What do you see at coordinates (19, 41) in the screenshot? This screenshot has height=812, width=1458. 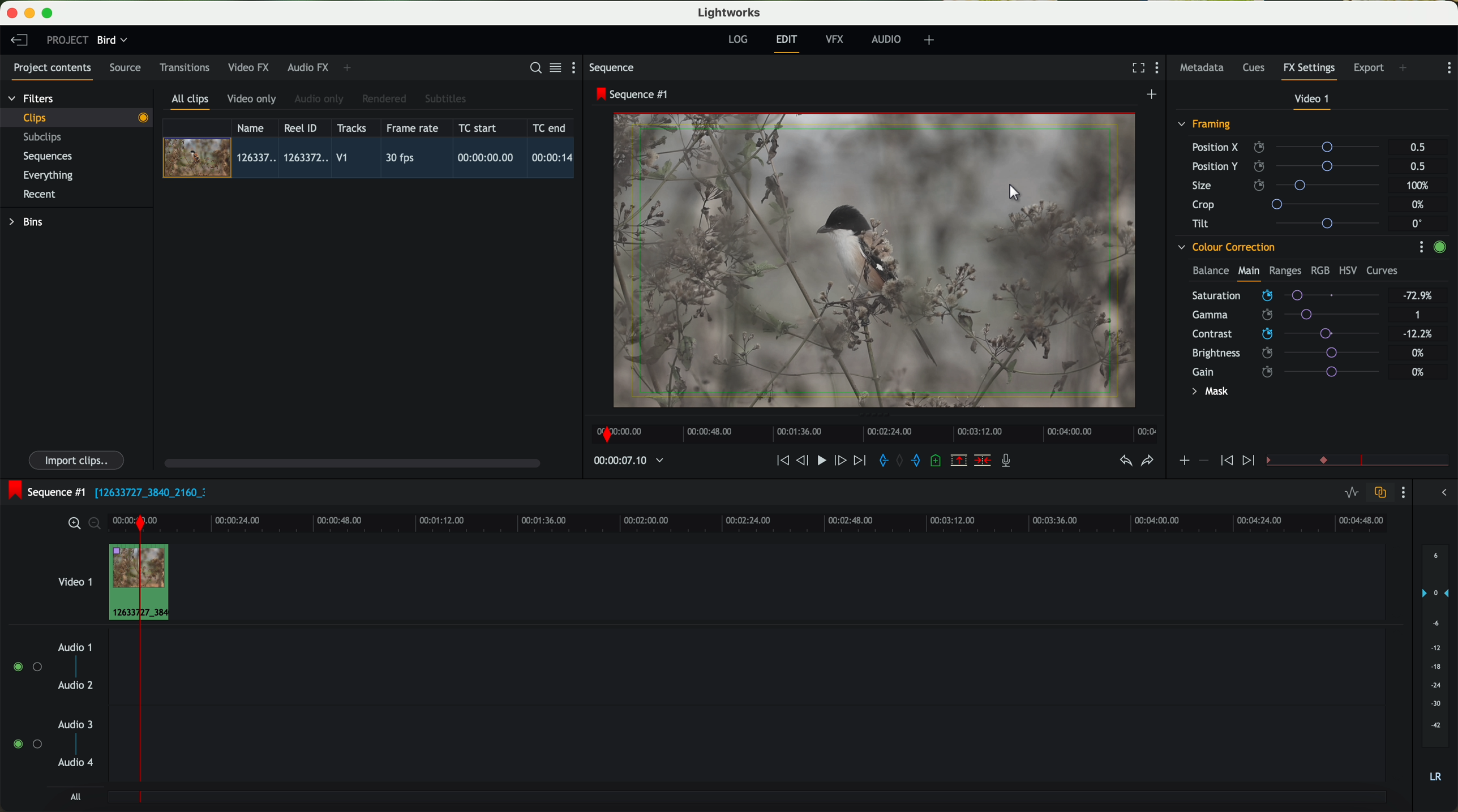 I see `leave` at bounding box center [19, 41].